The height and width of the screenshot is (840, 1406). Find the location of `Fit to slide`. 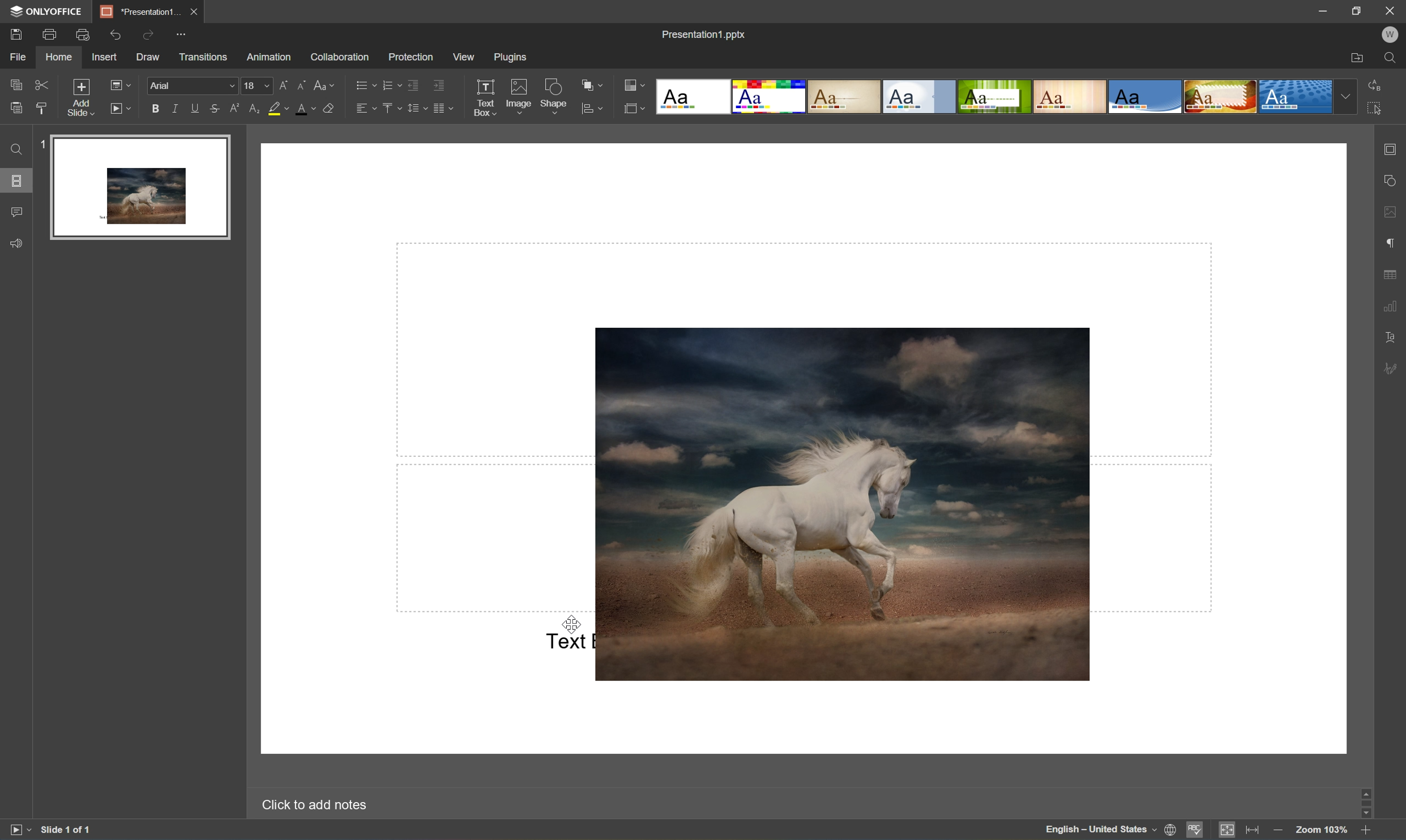

Fit to slide is located at coordinates (1228, 830).